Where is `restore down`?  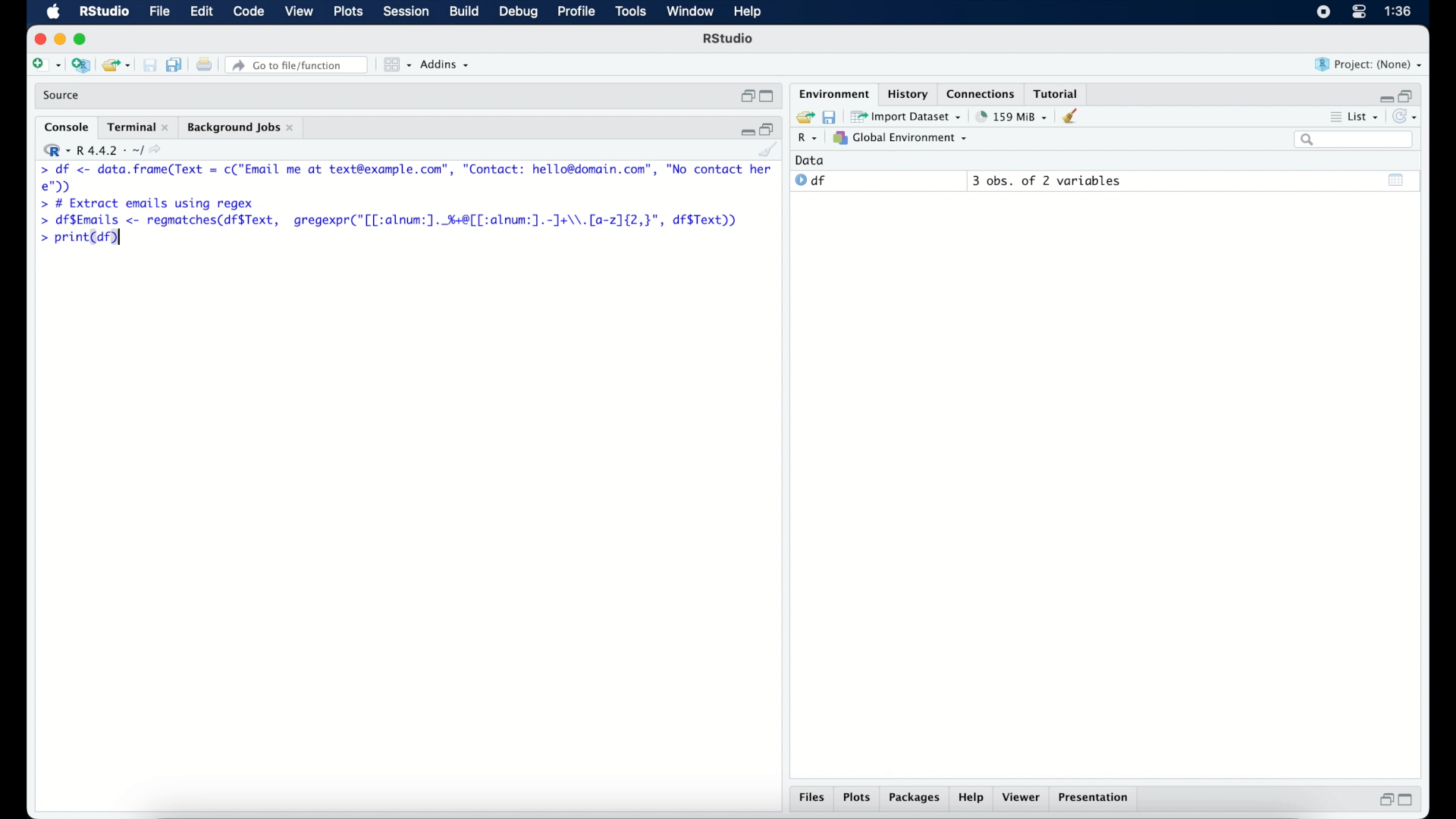
restore down is located at coordinates (770, 129).